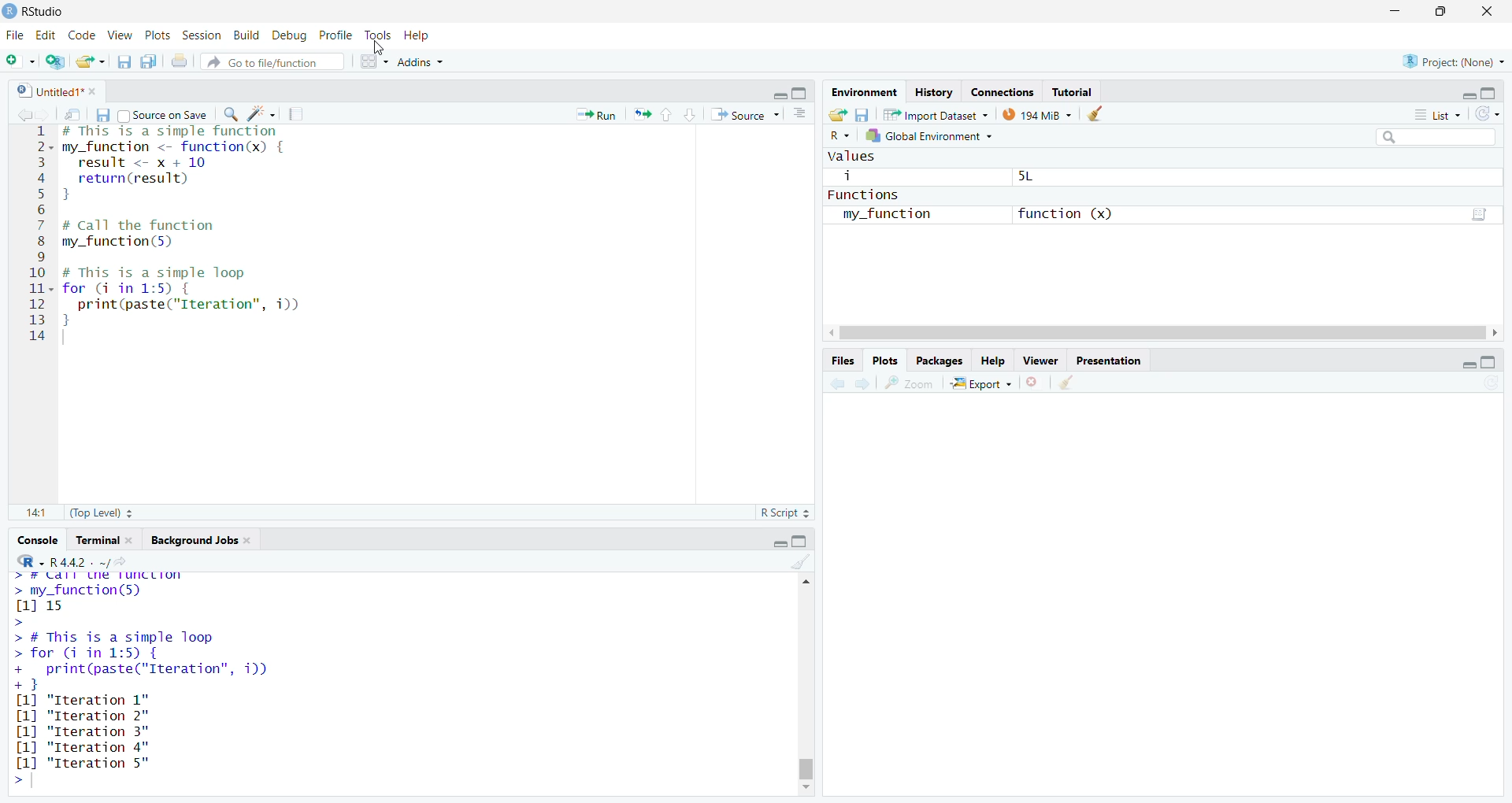 The width and height of the screenshot is (1512, 803). I want to click on global environment, so click(937, 139).